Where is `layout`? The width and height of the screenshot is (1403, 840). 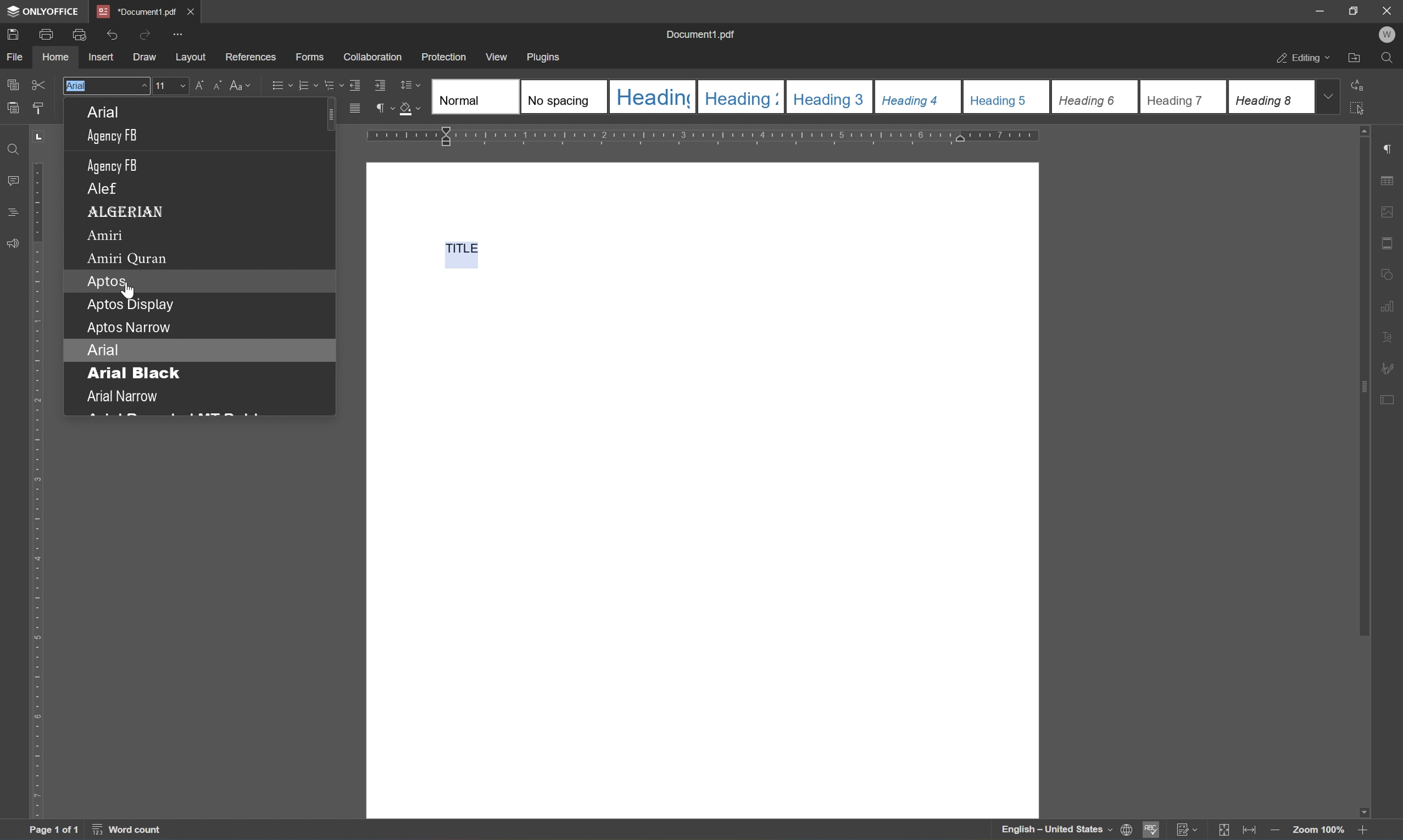
layout is located at coordinates (190, 59).